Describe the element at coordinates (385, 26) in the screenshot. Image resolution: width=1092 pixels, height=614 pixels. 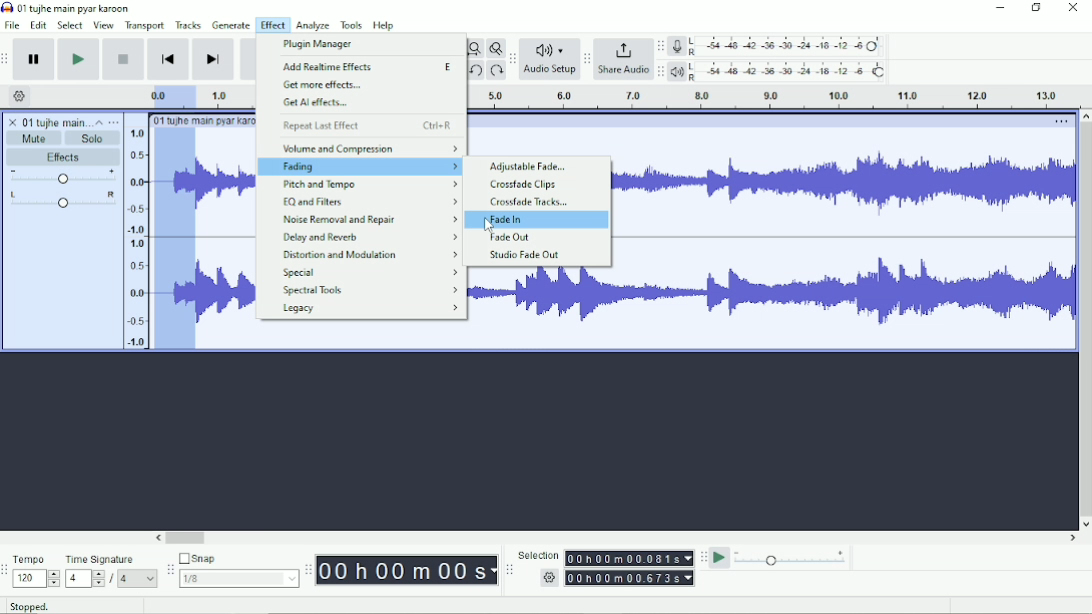
I see `Help` at that location.